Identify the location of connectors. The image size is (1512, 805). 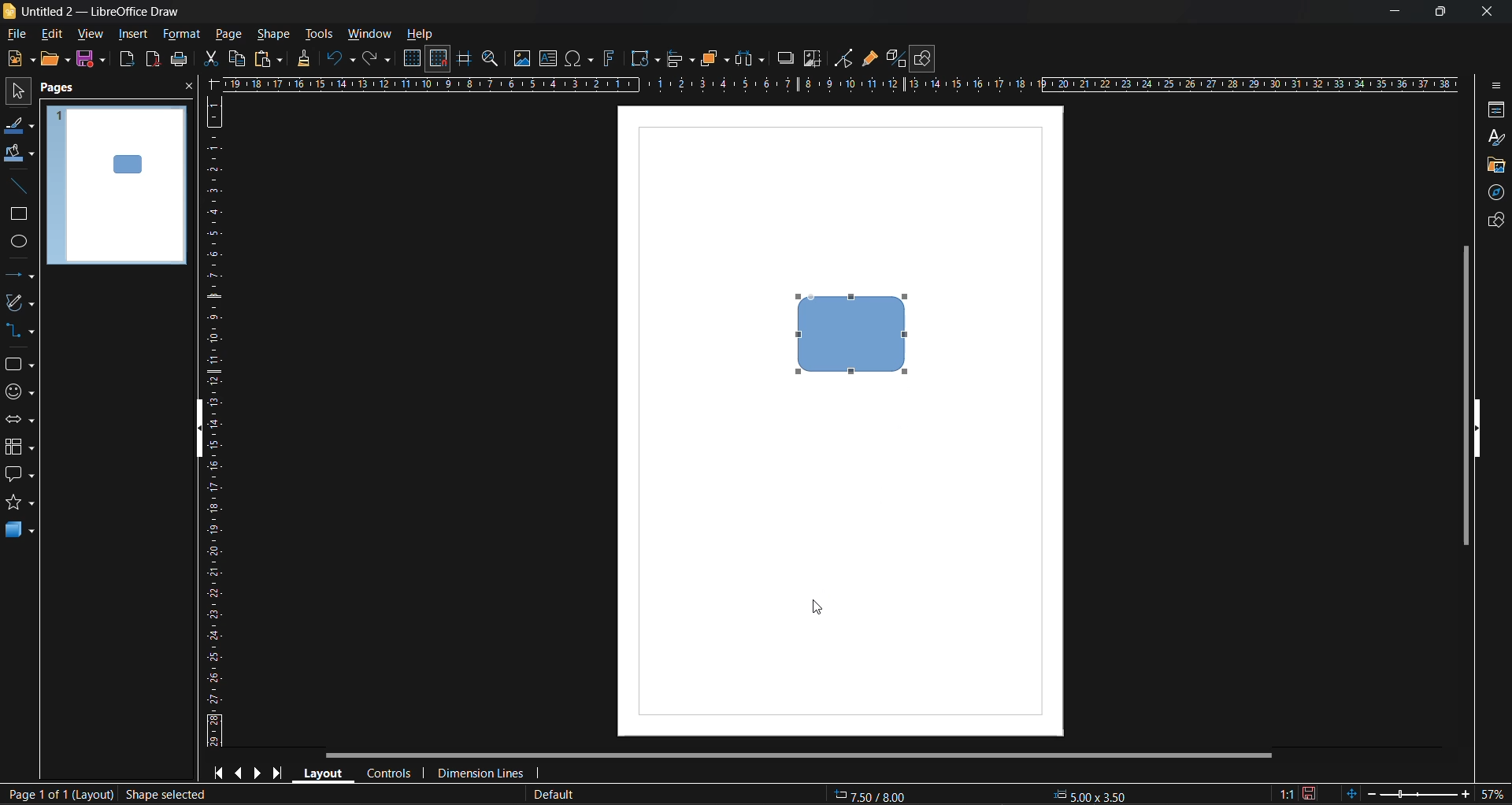
(18, 329).